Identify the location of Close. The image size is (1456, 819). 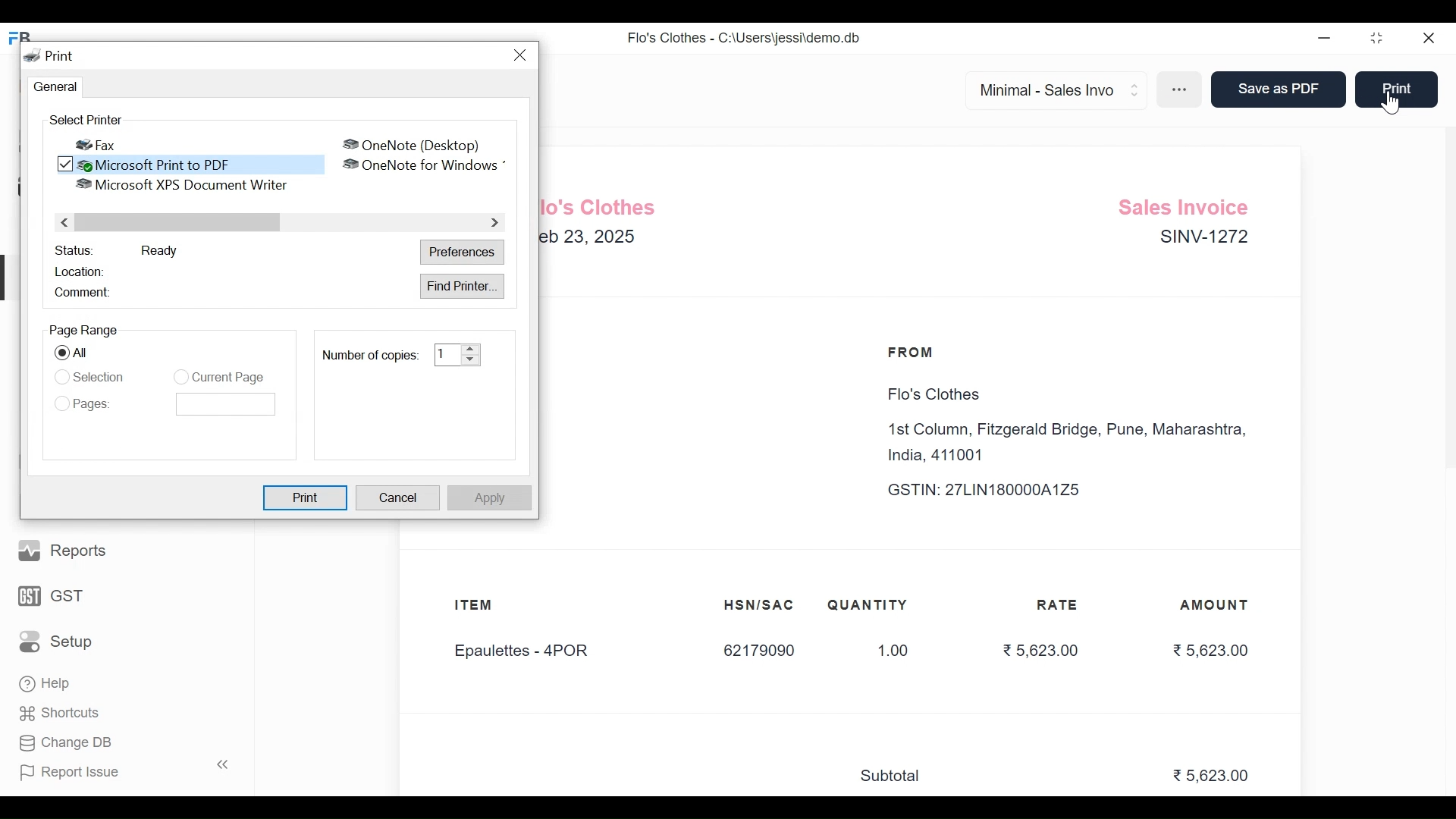
(1429, 39).